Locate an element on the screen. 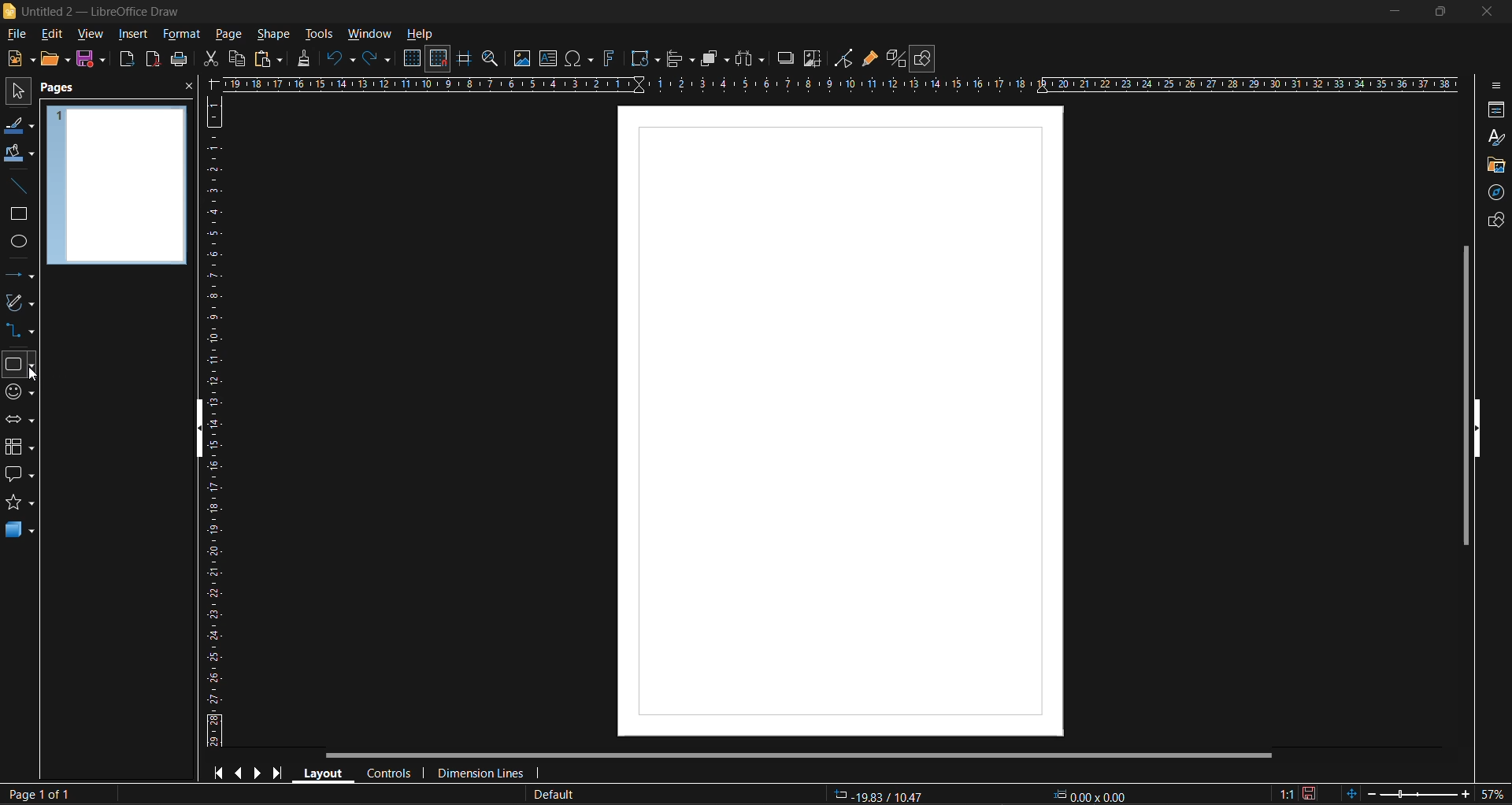 The height and width of the screenshot is (805, 1512). transformations is located at coordinates (645, 59).